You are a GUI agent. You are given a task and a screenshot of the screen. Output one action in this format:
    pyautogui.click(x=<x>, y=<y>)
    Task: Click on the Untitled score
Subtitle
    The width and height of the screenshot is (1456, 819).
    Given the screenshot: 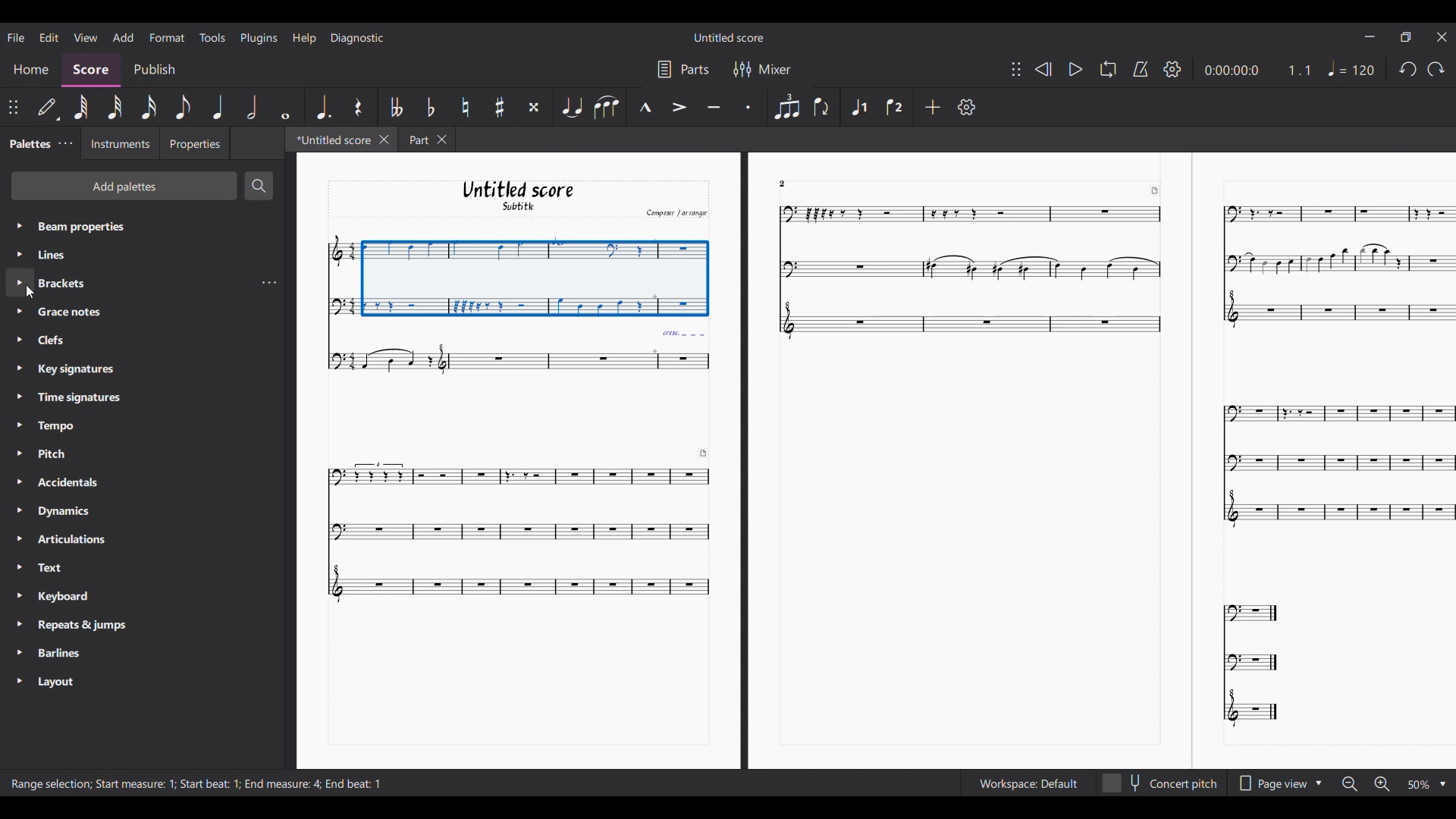 What is the action you would take?
    pyautogui.click(x=516, y=196)
    